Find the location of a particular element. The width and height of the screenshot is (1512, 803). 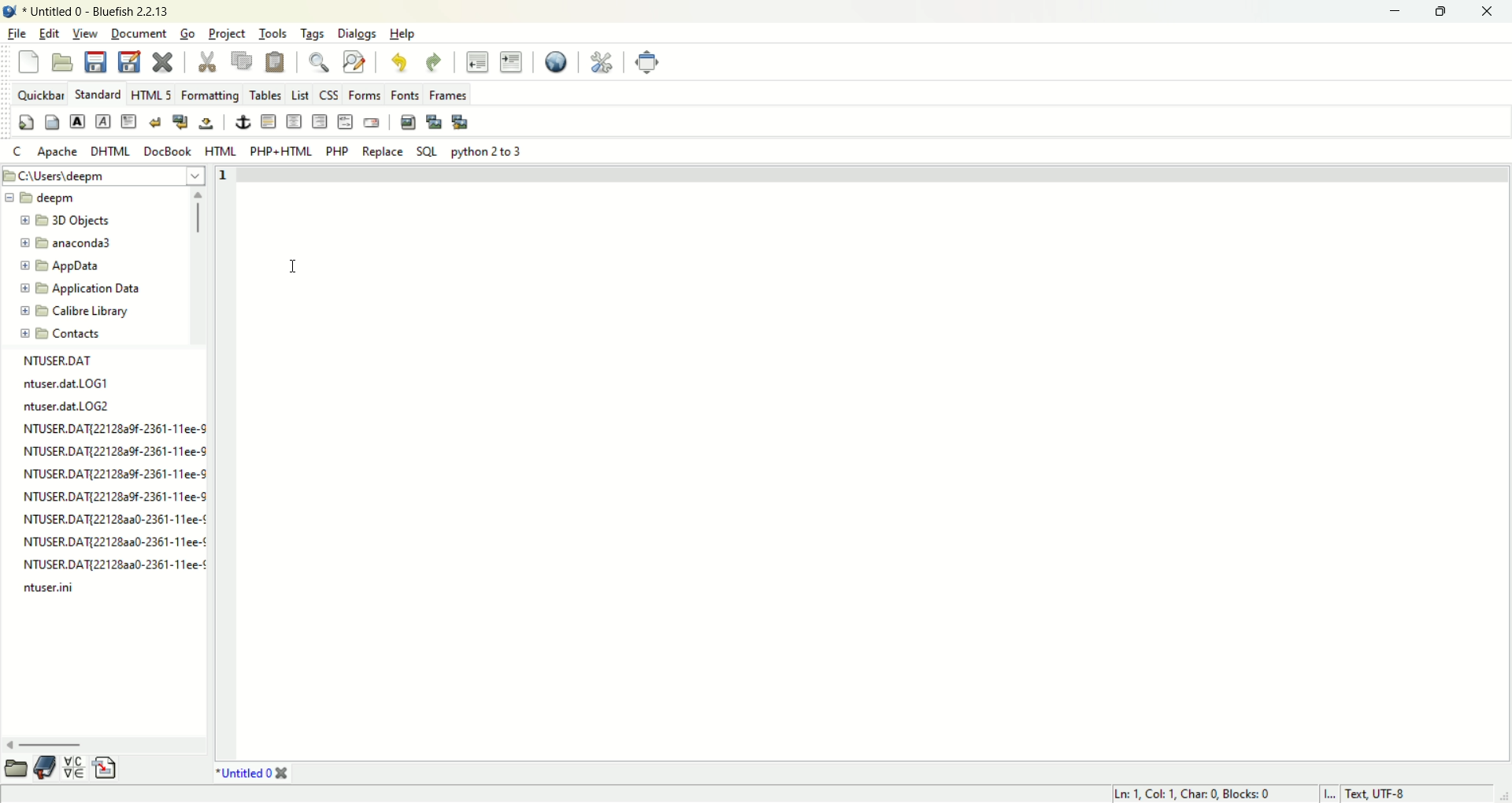

c is located at coordinates (18, 151).